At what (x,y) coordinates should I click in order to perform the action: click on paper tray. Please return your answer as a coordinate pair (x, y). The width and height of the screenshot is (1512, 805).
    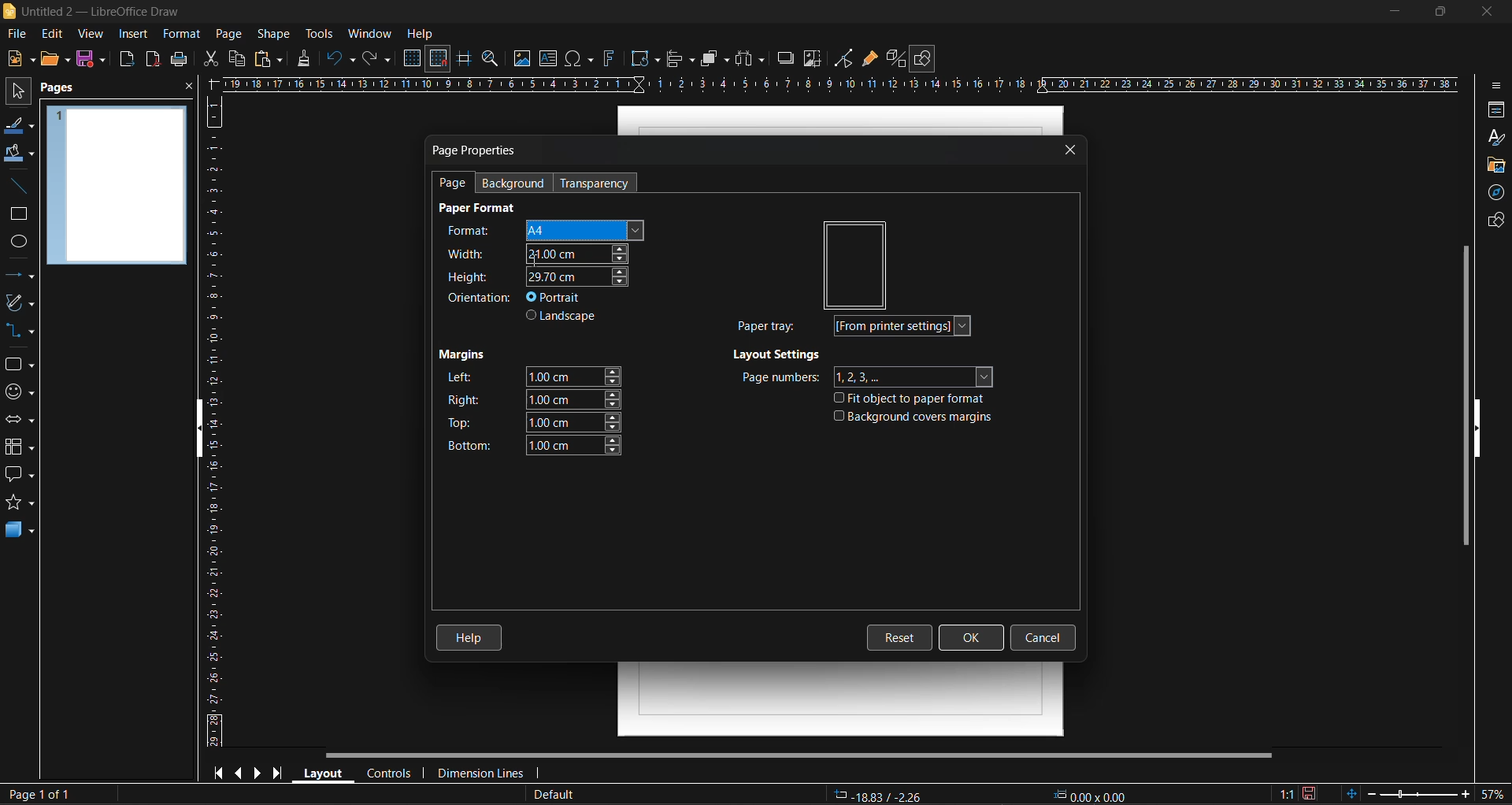
    Looking at the image, I should click on (860, 327).